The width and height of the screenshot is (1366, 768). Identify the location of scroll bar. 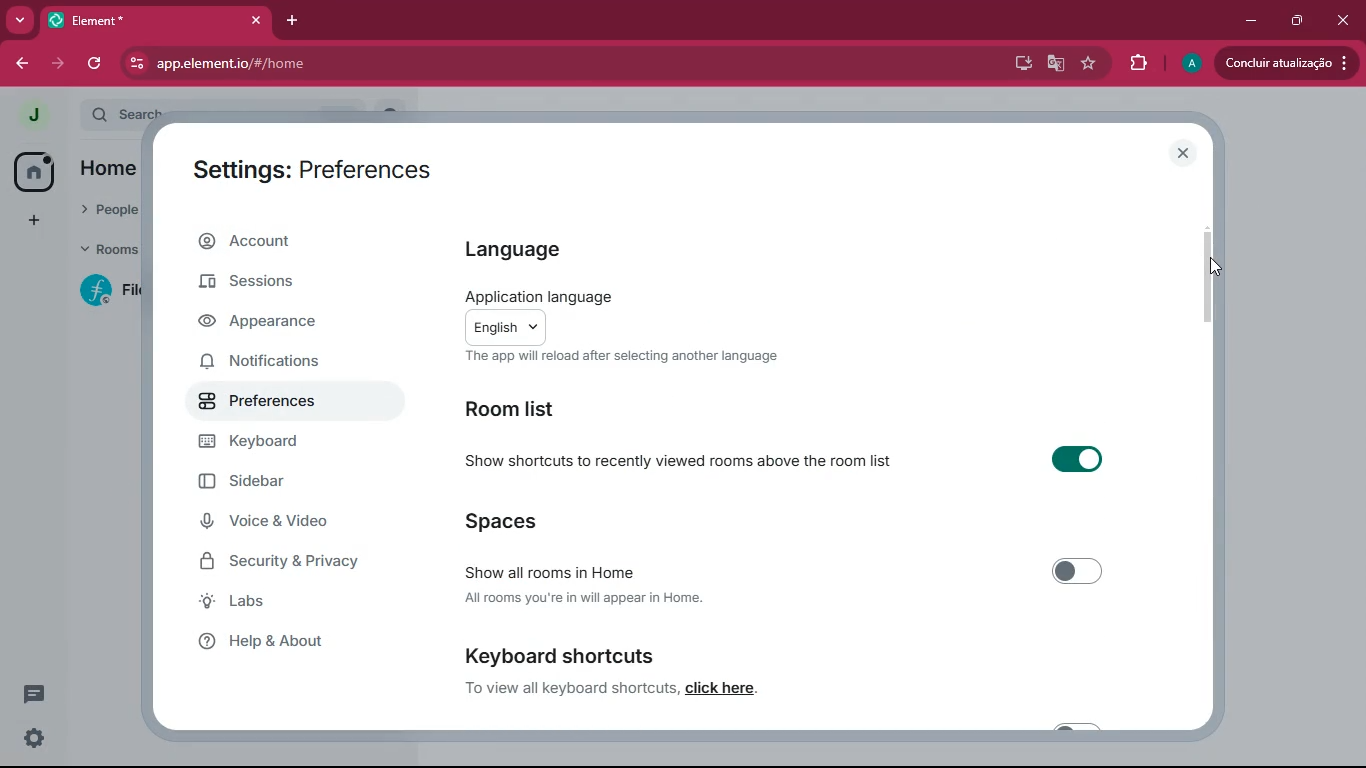
(1209, 278).